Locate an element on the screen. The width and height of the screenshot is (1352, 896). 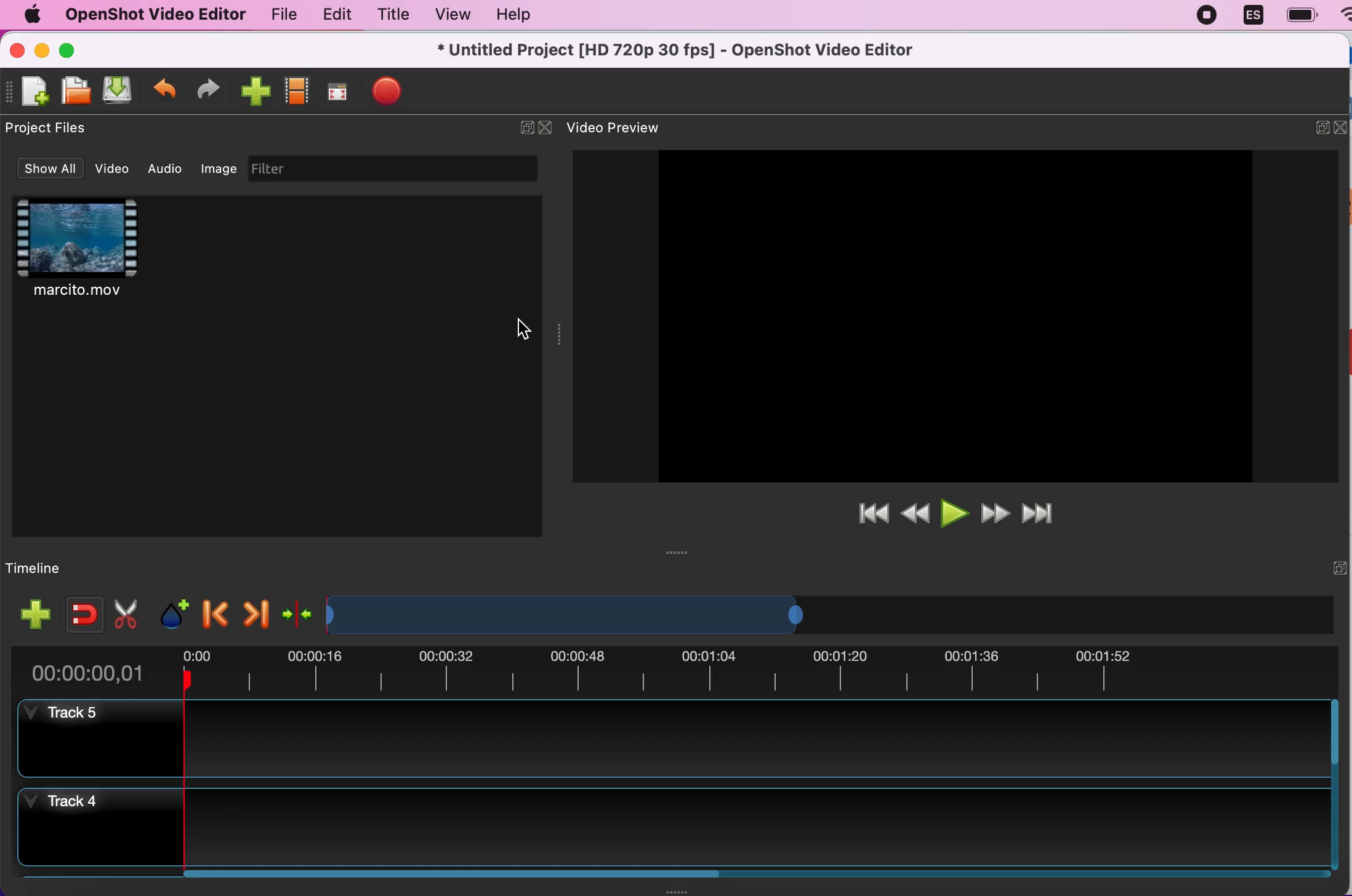
battery is located at coordinates (1300, 16).